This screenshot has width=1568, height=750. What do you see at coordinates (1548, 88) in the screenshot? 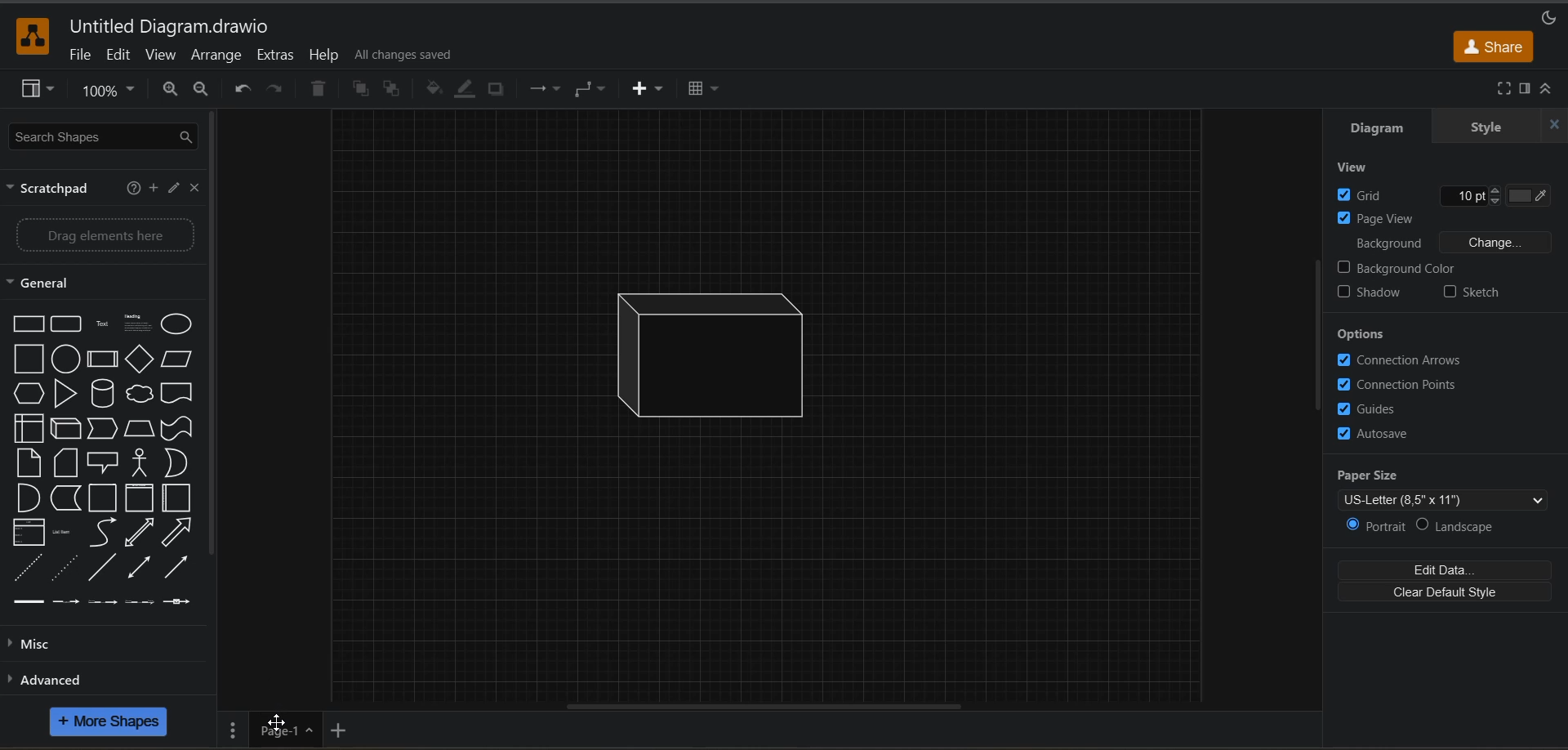
I see `collapse/expand` at bounding box center [1548, 88].